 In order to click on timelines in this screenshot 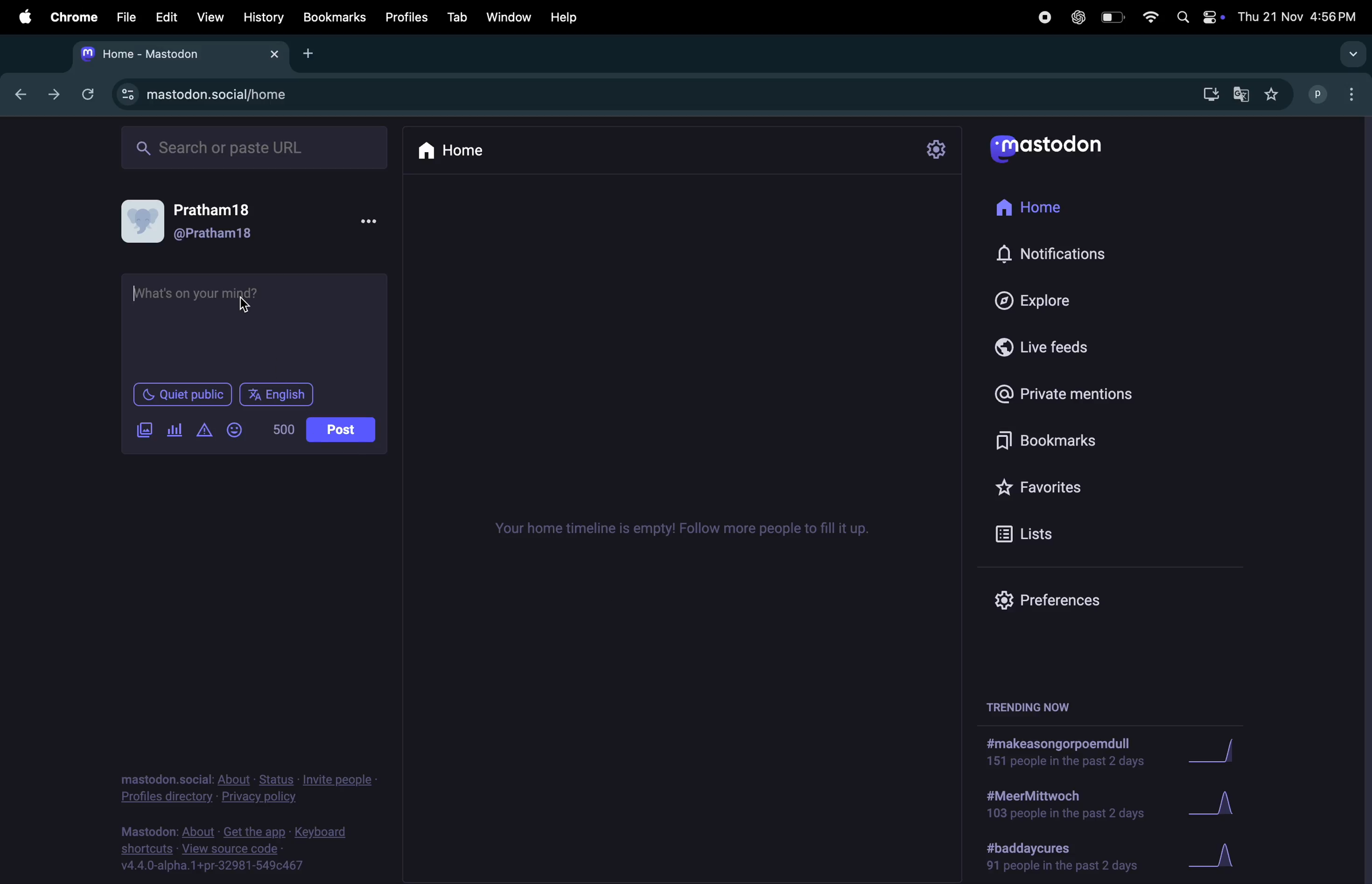, I will do `click(674, 530)`.